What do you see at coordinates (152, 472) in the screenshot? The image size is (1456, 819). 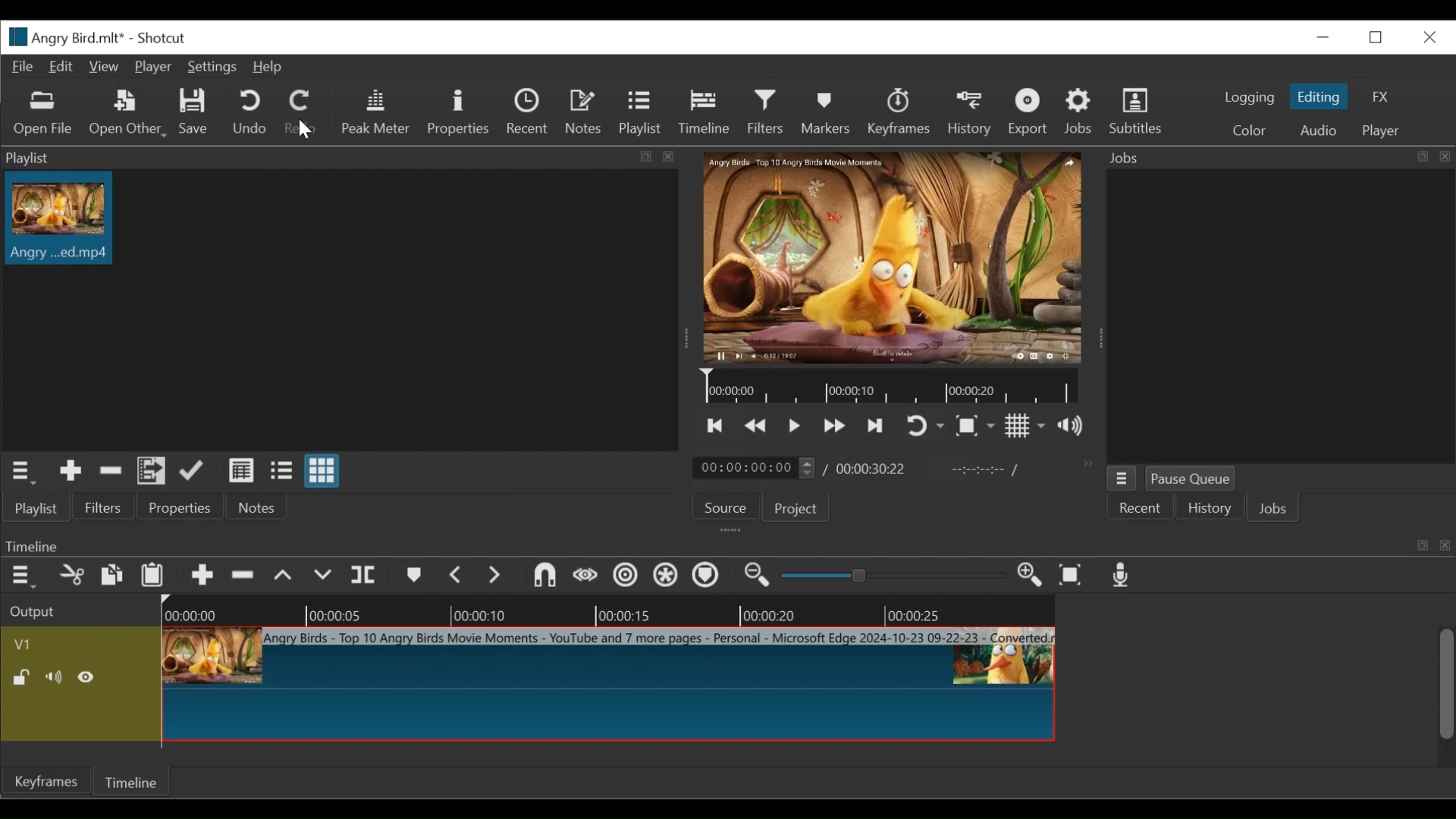 I see `Add files to the playlist` at bounding box center [152, 472].